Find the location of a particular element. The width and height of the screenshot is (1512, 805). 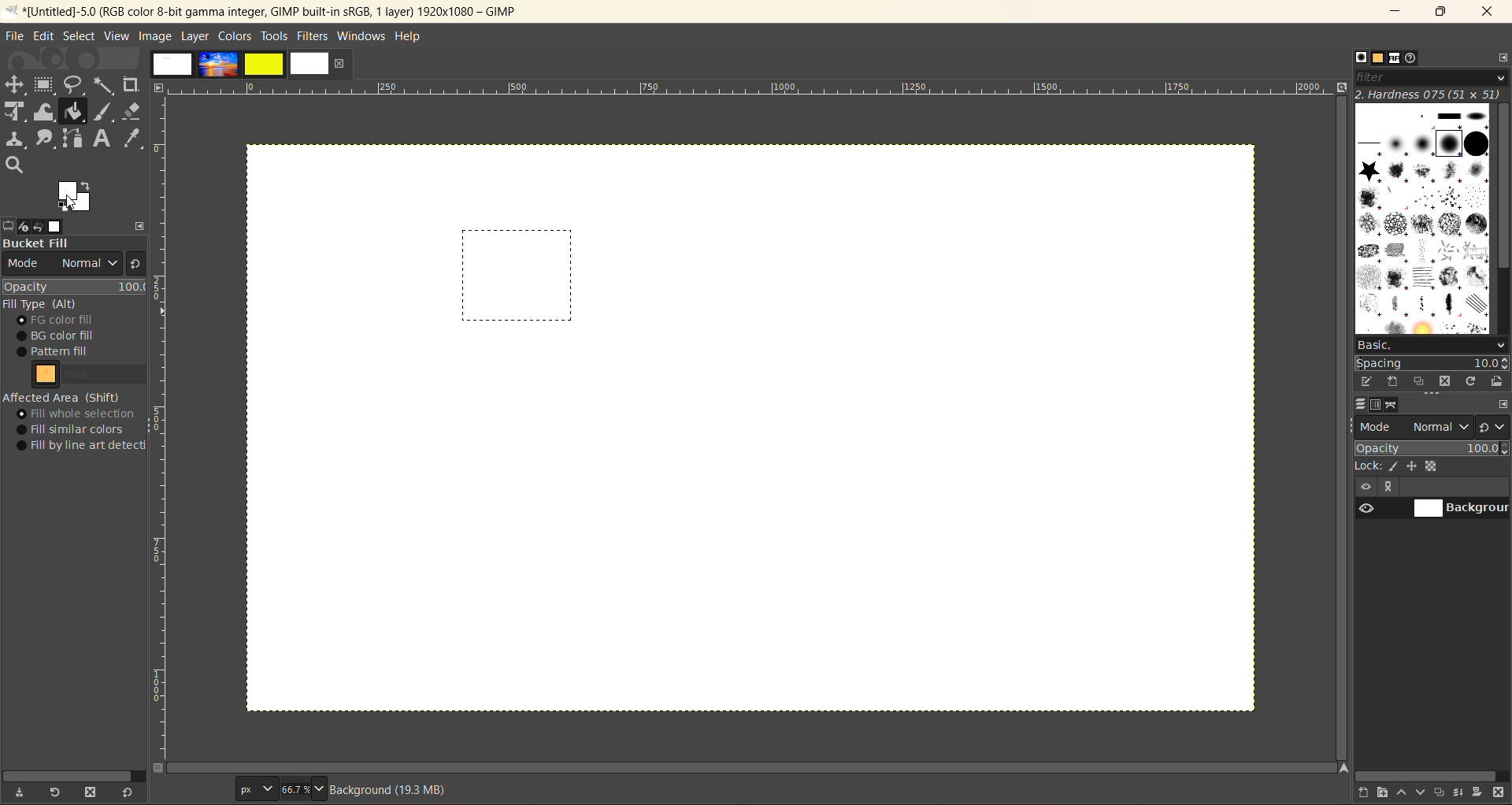

horizontal scroll bar is located at coordinates (72, 773).